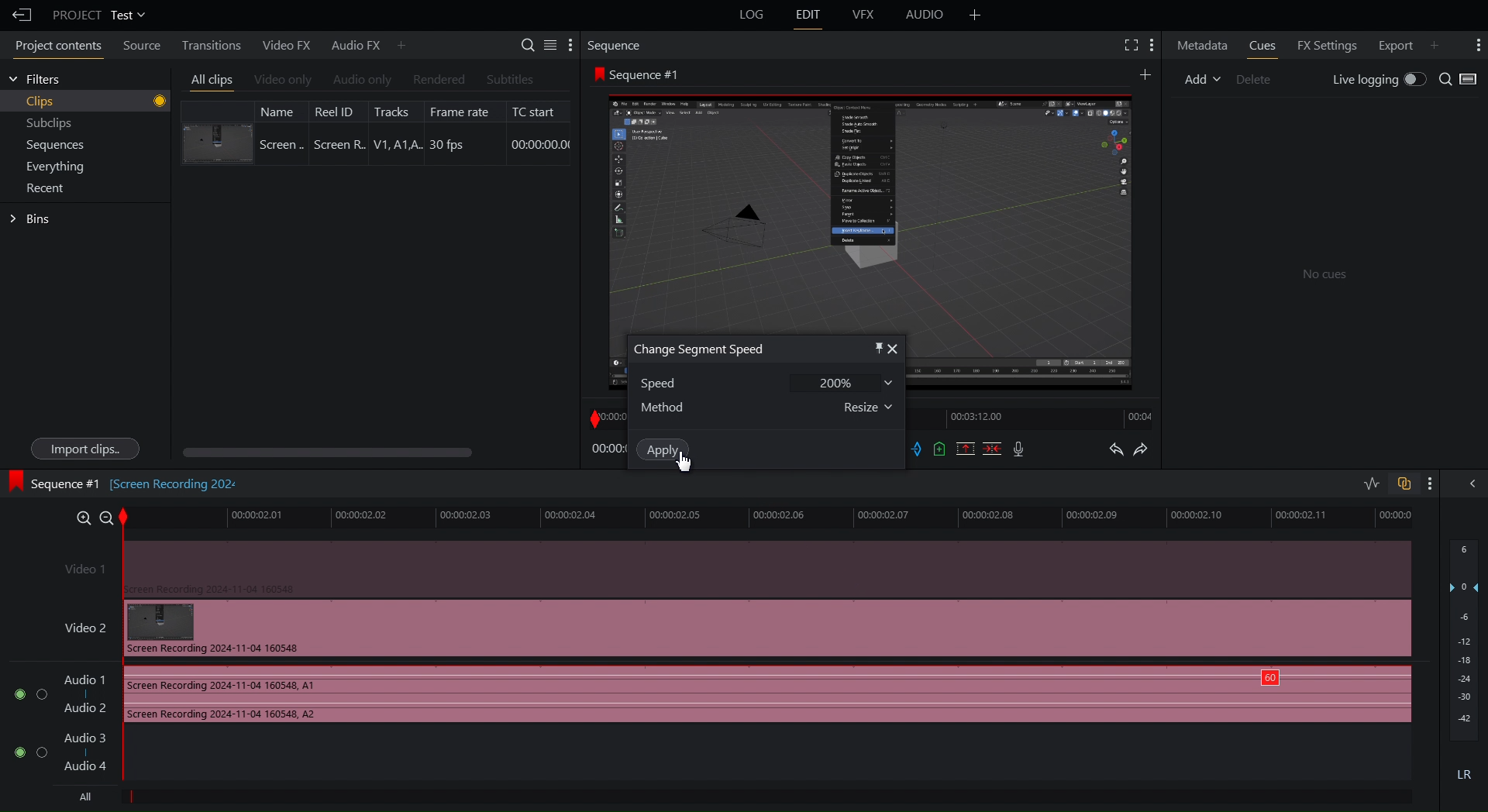 Image resolution: width=1488 pixels, height=812 pixels. I want to click on Filters, so click(35, 79).